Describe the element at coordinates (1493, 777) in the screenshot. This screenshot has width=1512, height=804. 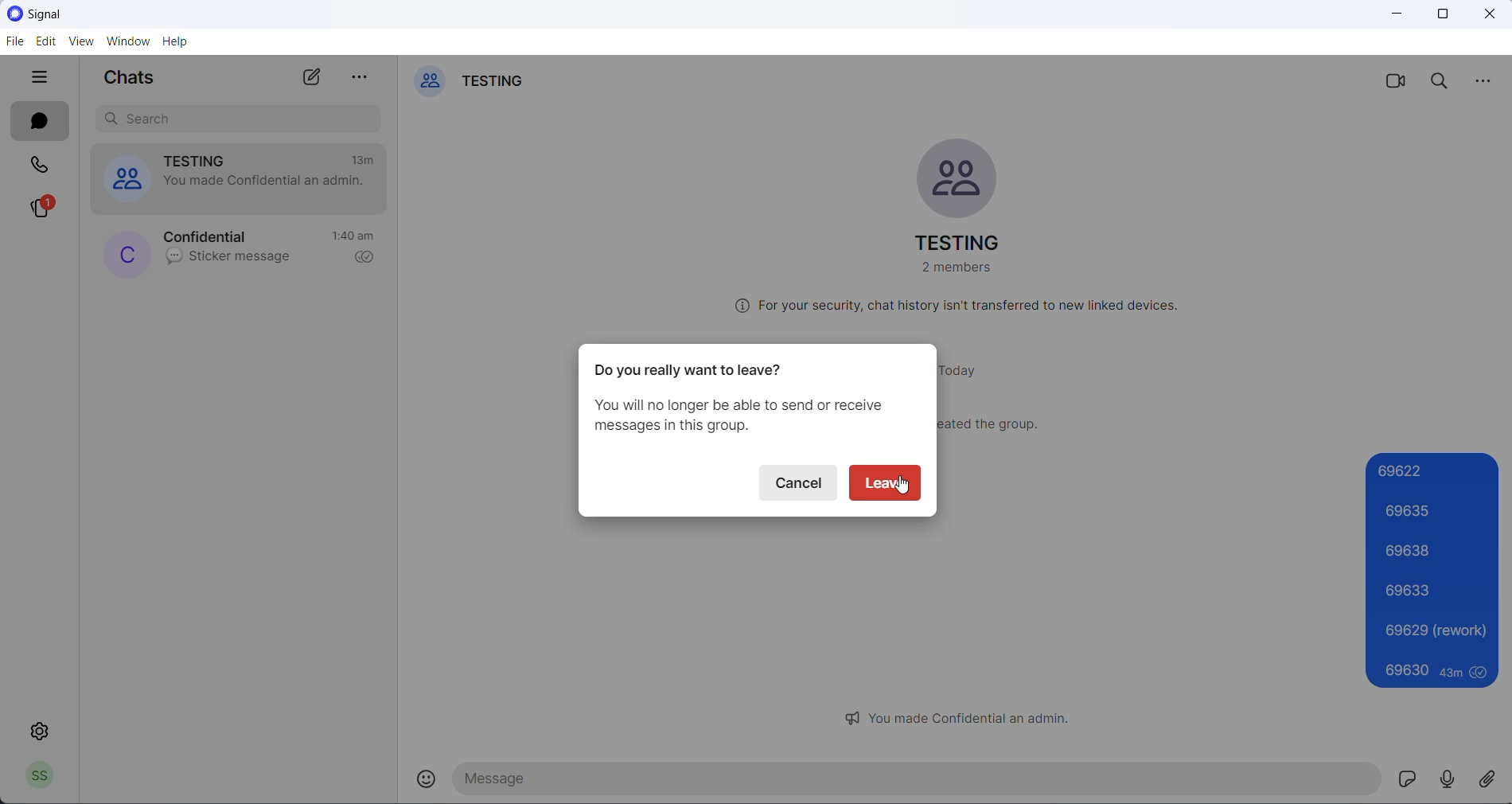
I see `share attachments` at that location.